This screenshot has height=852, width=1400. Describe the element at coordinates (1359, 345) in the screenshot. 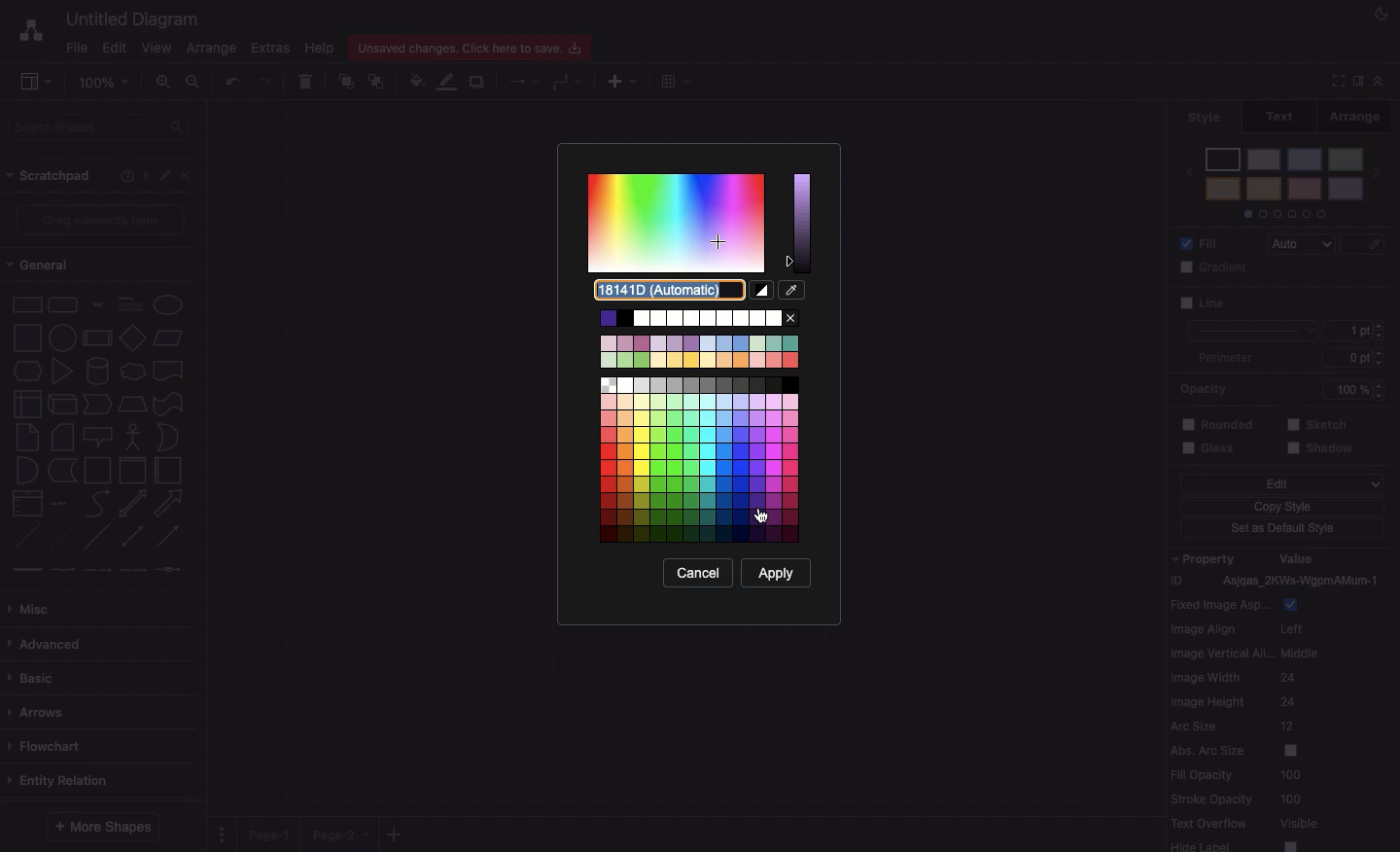

I see `Size` at that location.